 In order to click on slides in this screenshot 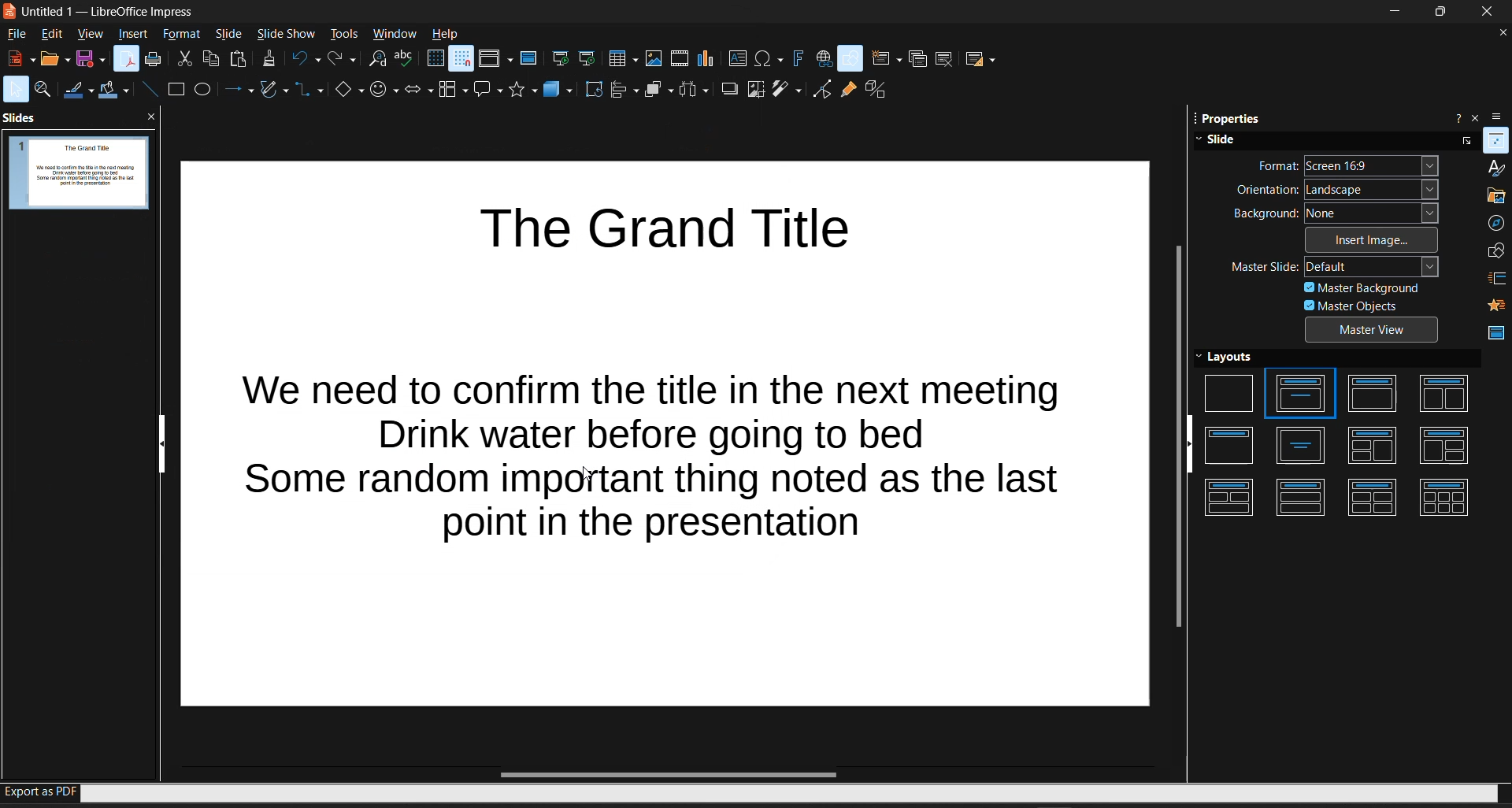, I will do `click(22, 117)`.